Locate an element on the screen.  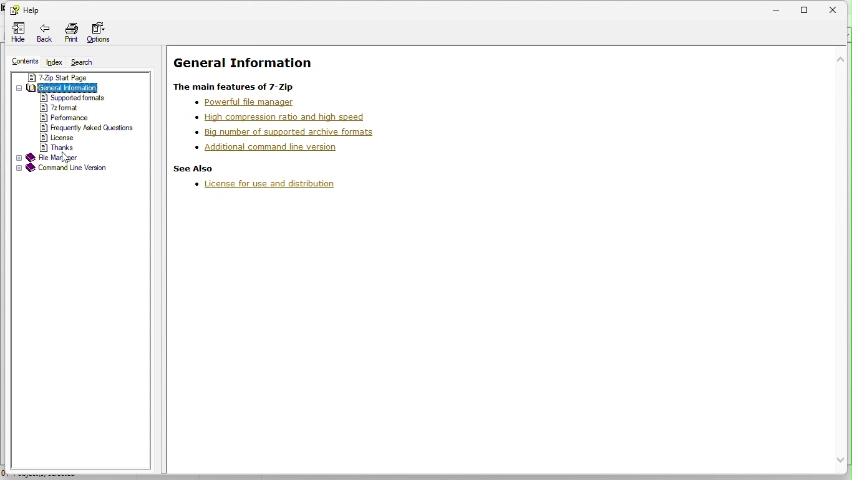
File manager is located at coordinates (50, 158).